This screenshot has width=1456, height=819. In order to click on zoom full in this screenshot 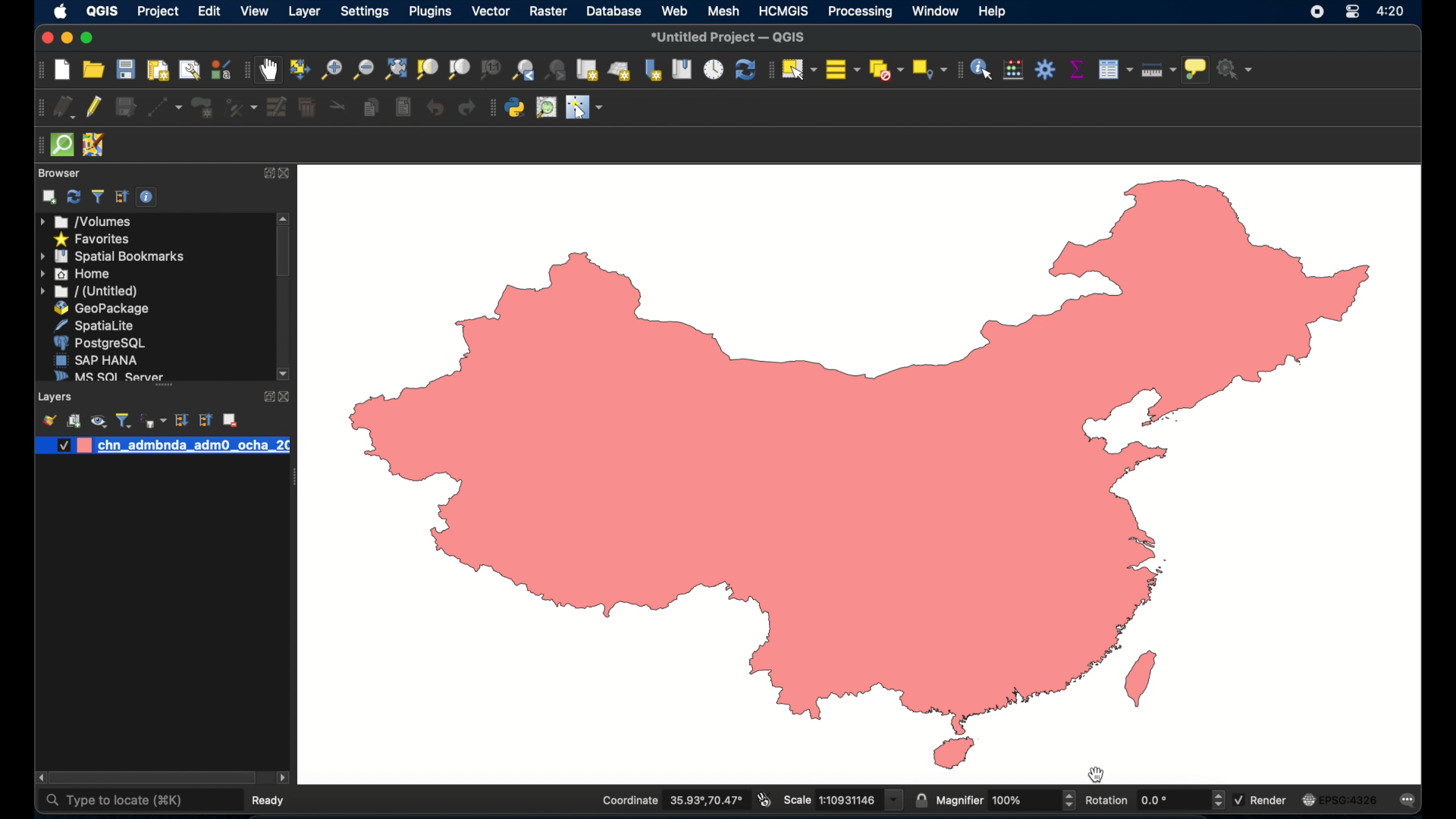, I will do `click(393, 69)`.